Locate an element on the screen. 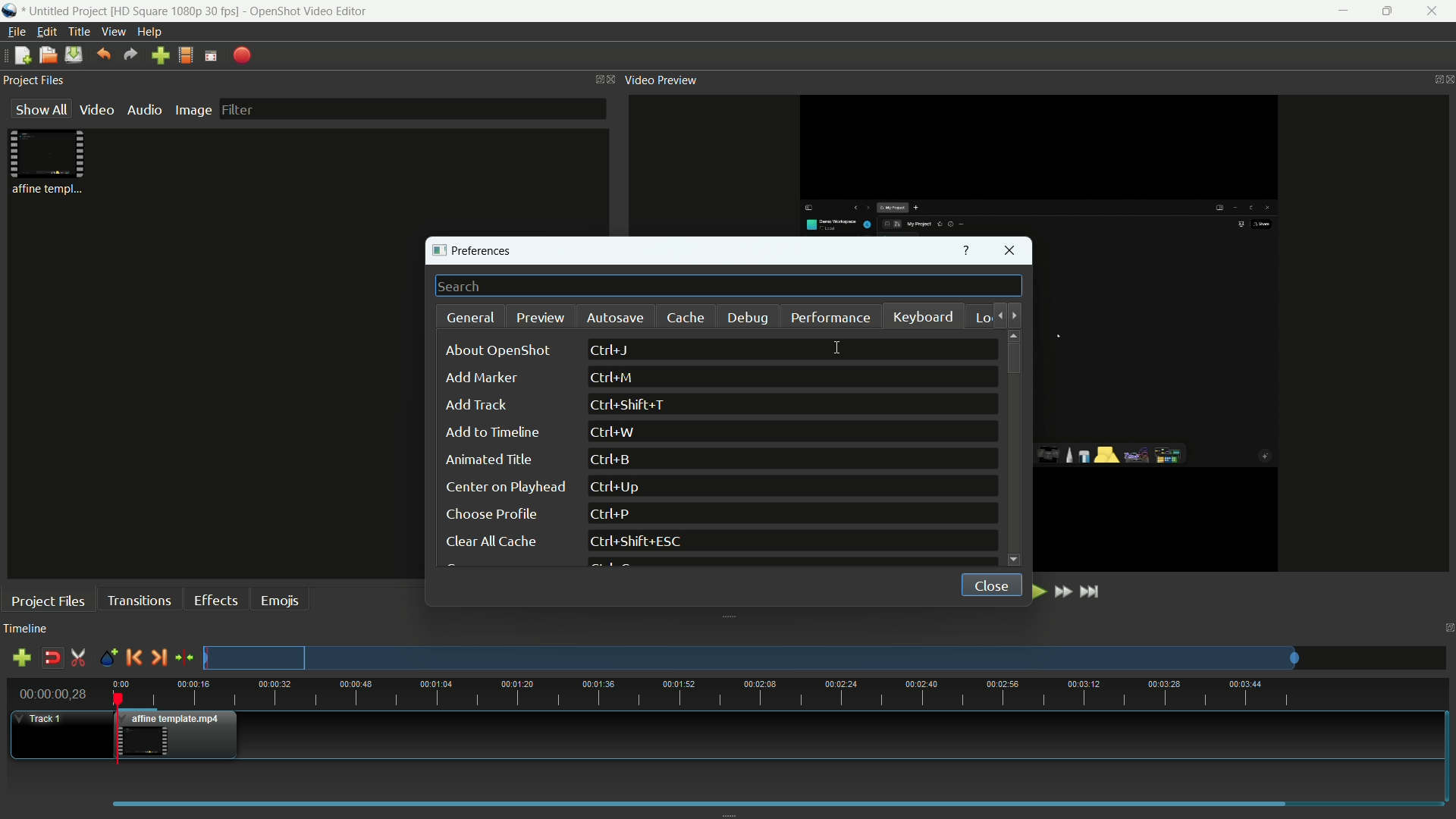 This screenshot has height=819, width=1456. create marker is located at coordinates (105, 658).